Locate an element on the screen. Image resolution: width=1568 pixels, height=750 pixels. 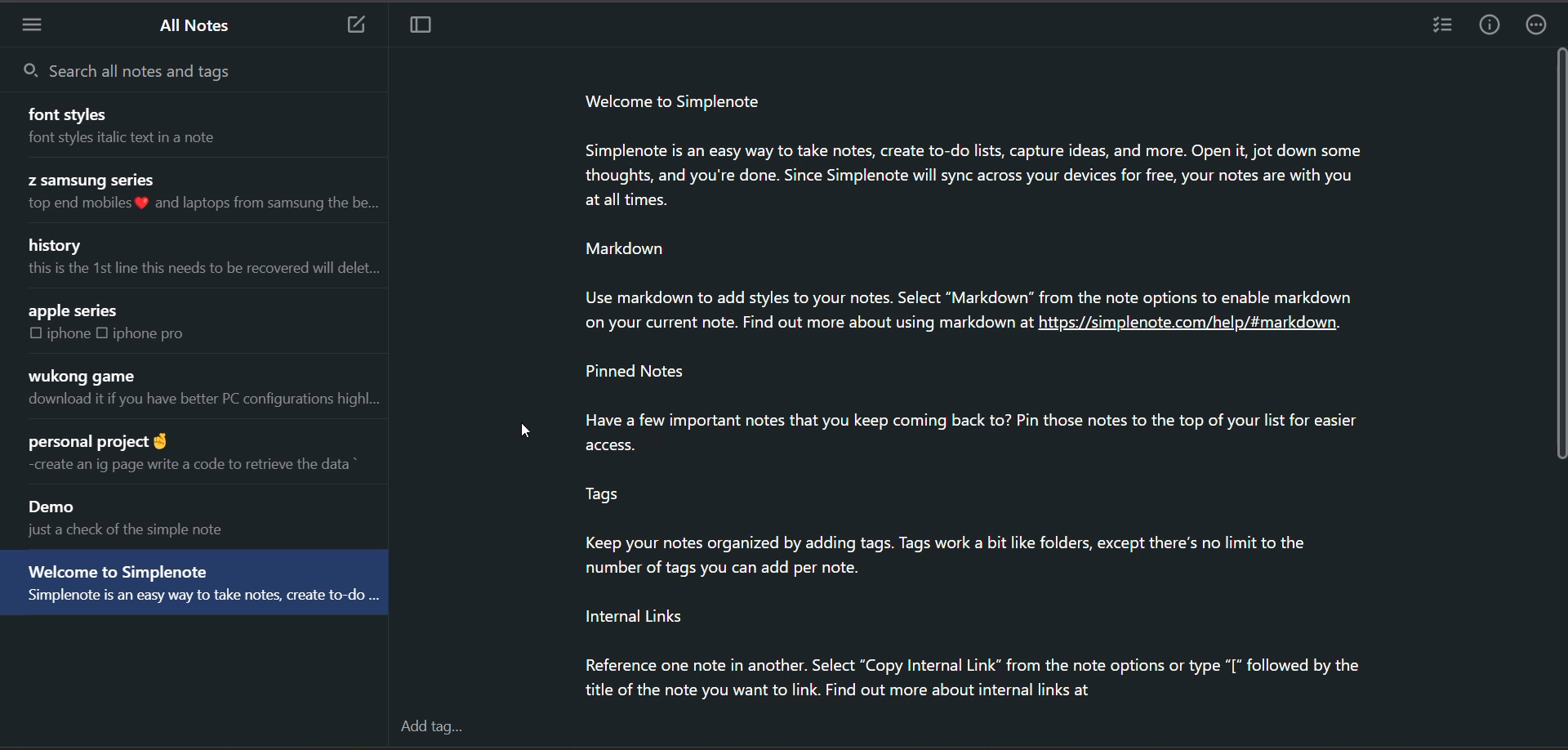
font styles is located at coordinates (72, 113).